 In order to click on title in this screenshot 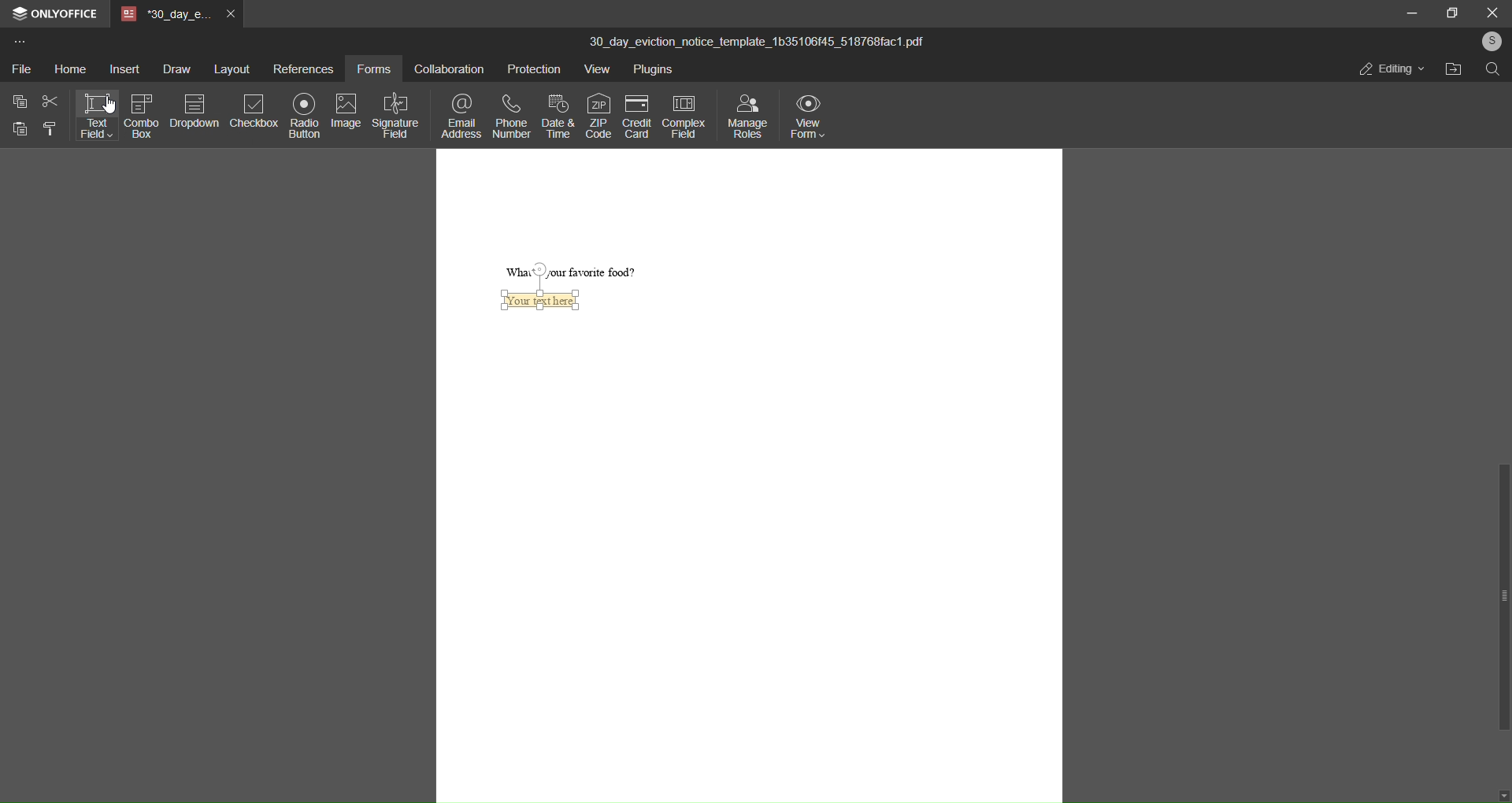, I will do `click(759, 38)`.